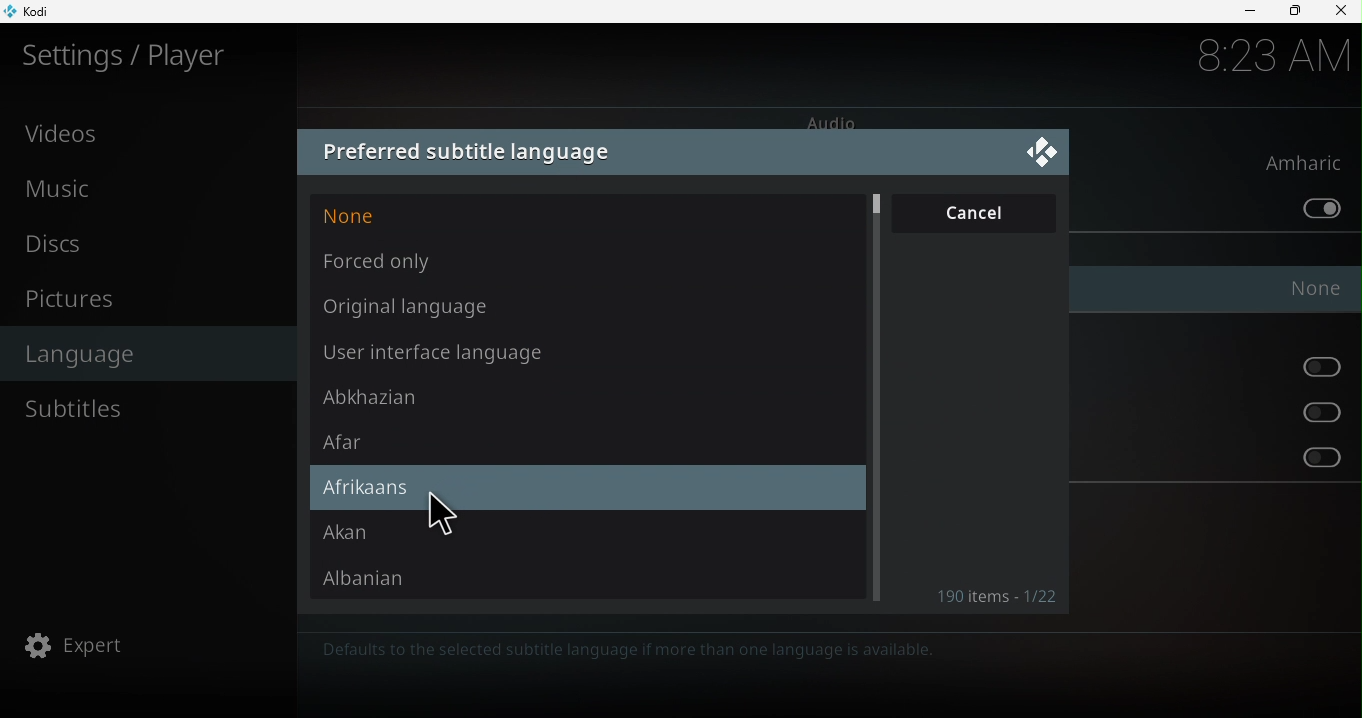  Describe the element at coordinates (578, 353) in the screenshot. I see `User interface language` at that location.